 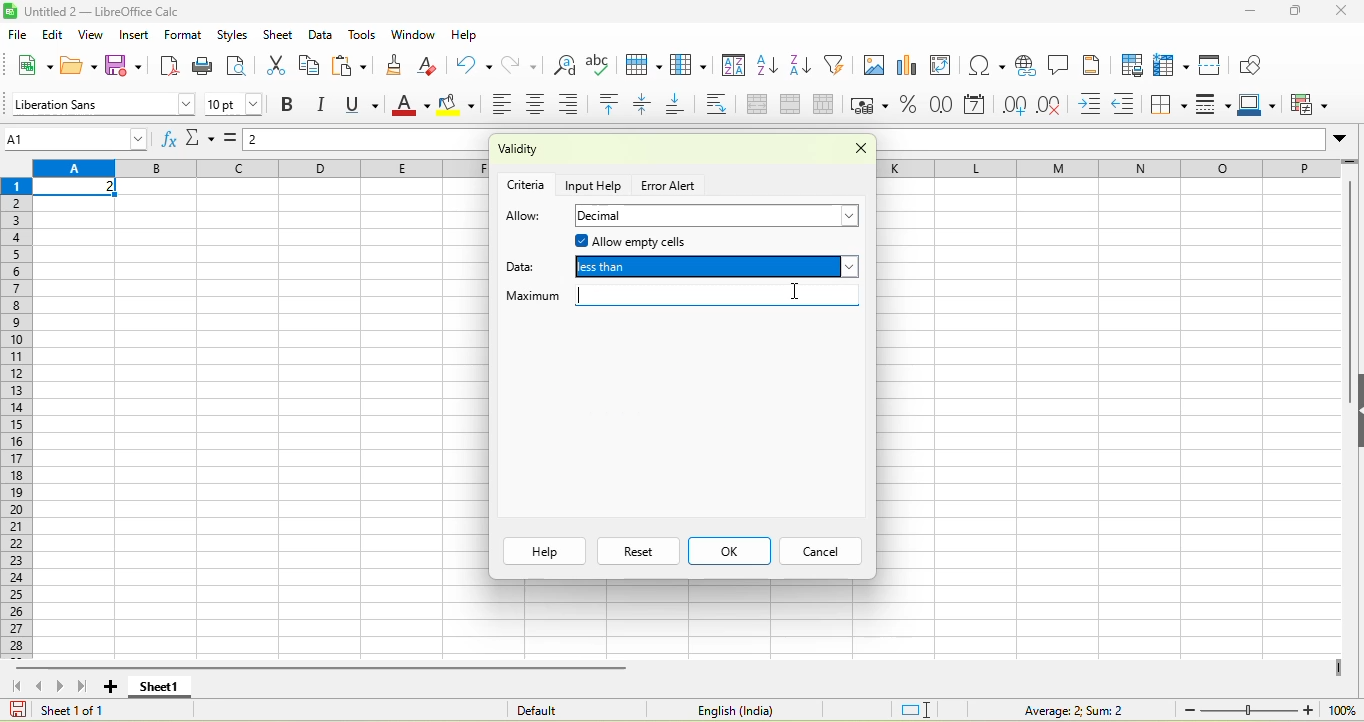 What do you see at coordinates (412, 36) in the screenshot?
I see `window` at bounding box center [412, 36].